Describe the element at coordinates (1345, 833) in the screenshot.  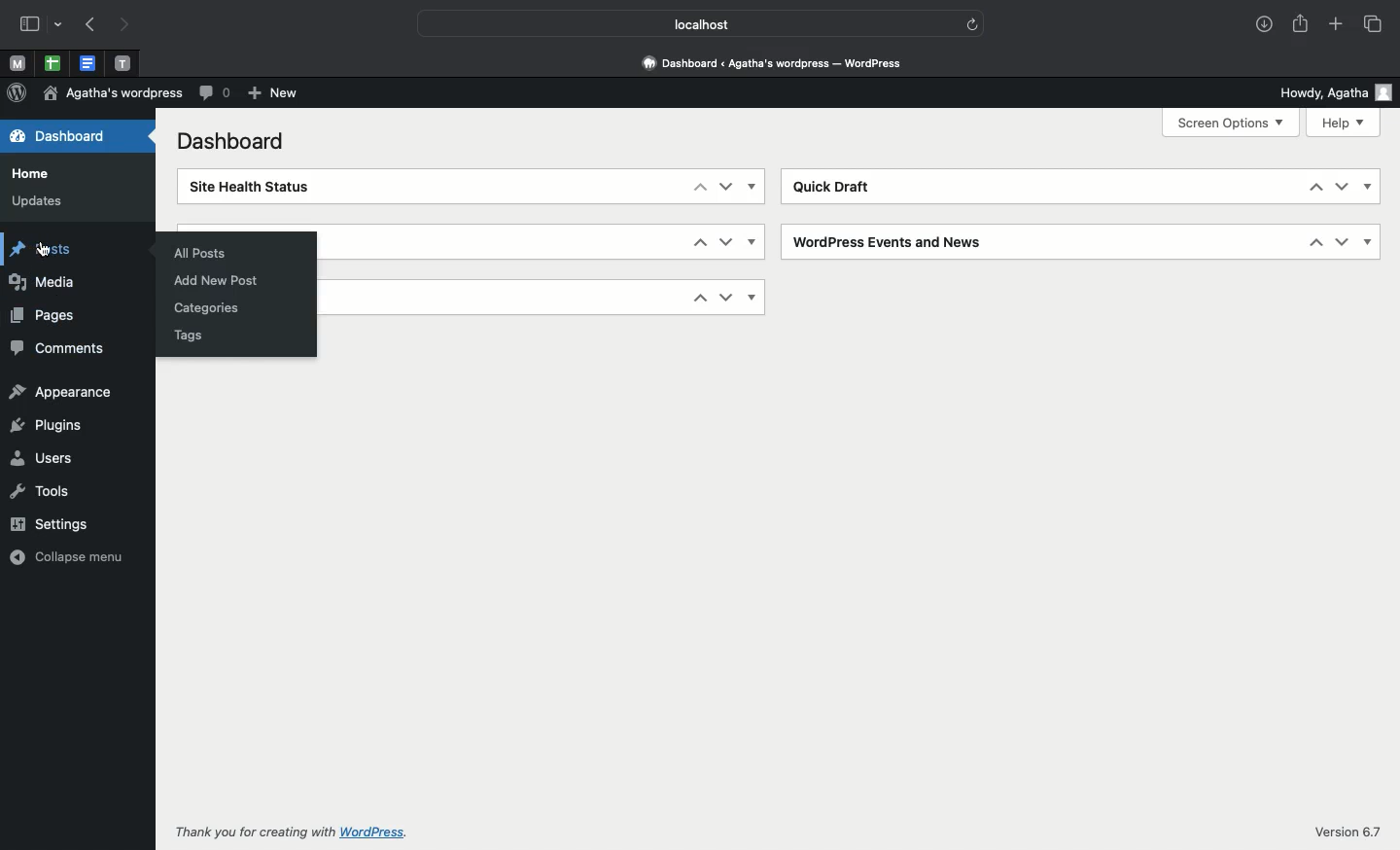
I see `Version 6.7` at that location.